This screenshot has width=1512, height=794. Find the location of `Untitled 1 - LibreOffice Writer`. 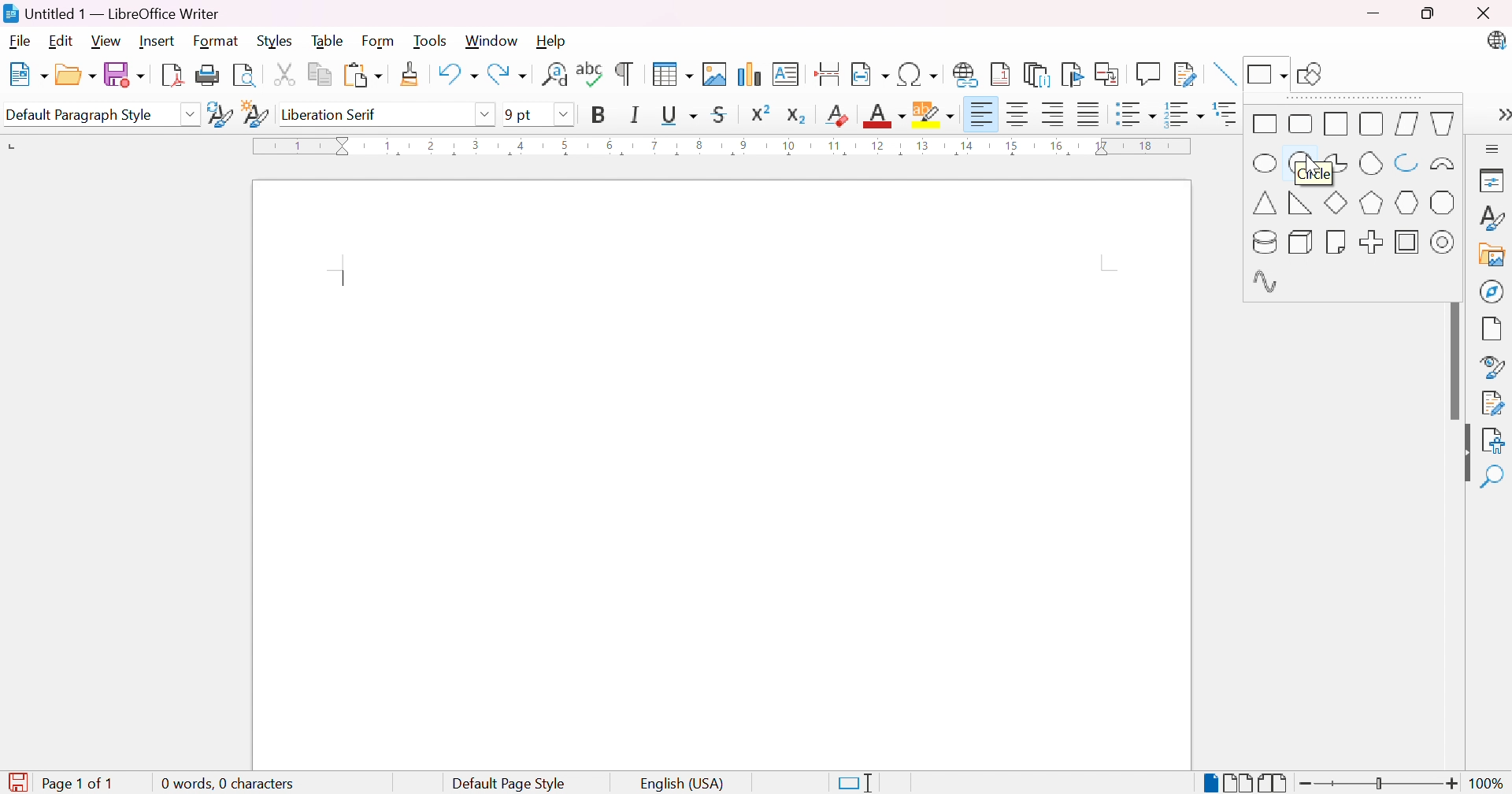

Untitled 1 - LibreOffice Writer is located at coordinates (111, 13).